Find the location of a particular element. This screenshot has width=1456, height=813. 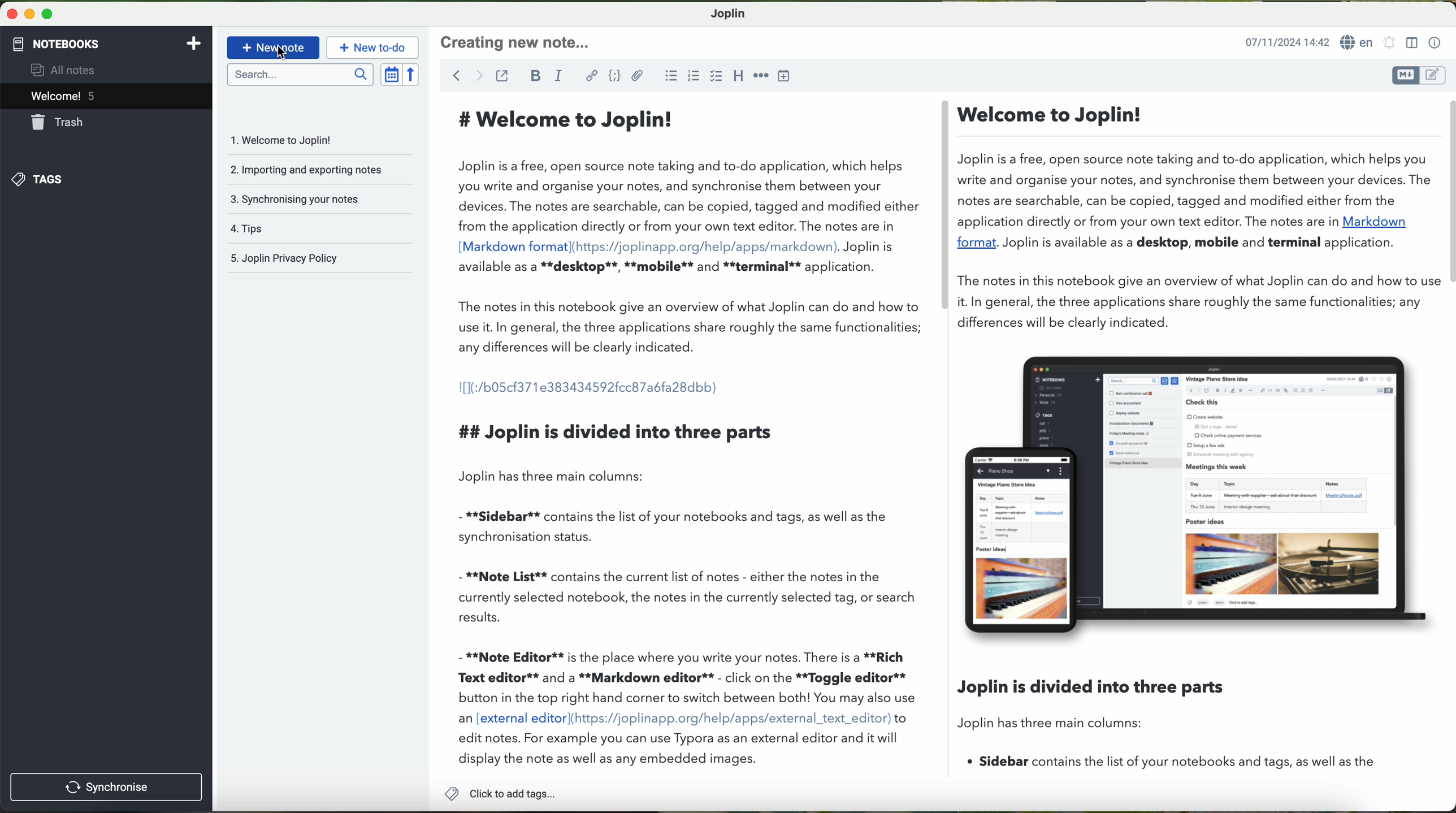

new to-do is located at coordinates (374, 48).